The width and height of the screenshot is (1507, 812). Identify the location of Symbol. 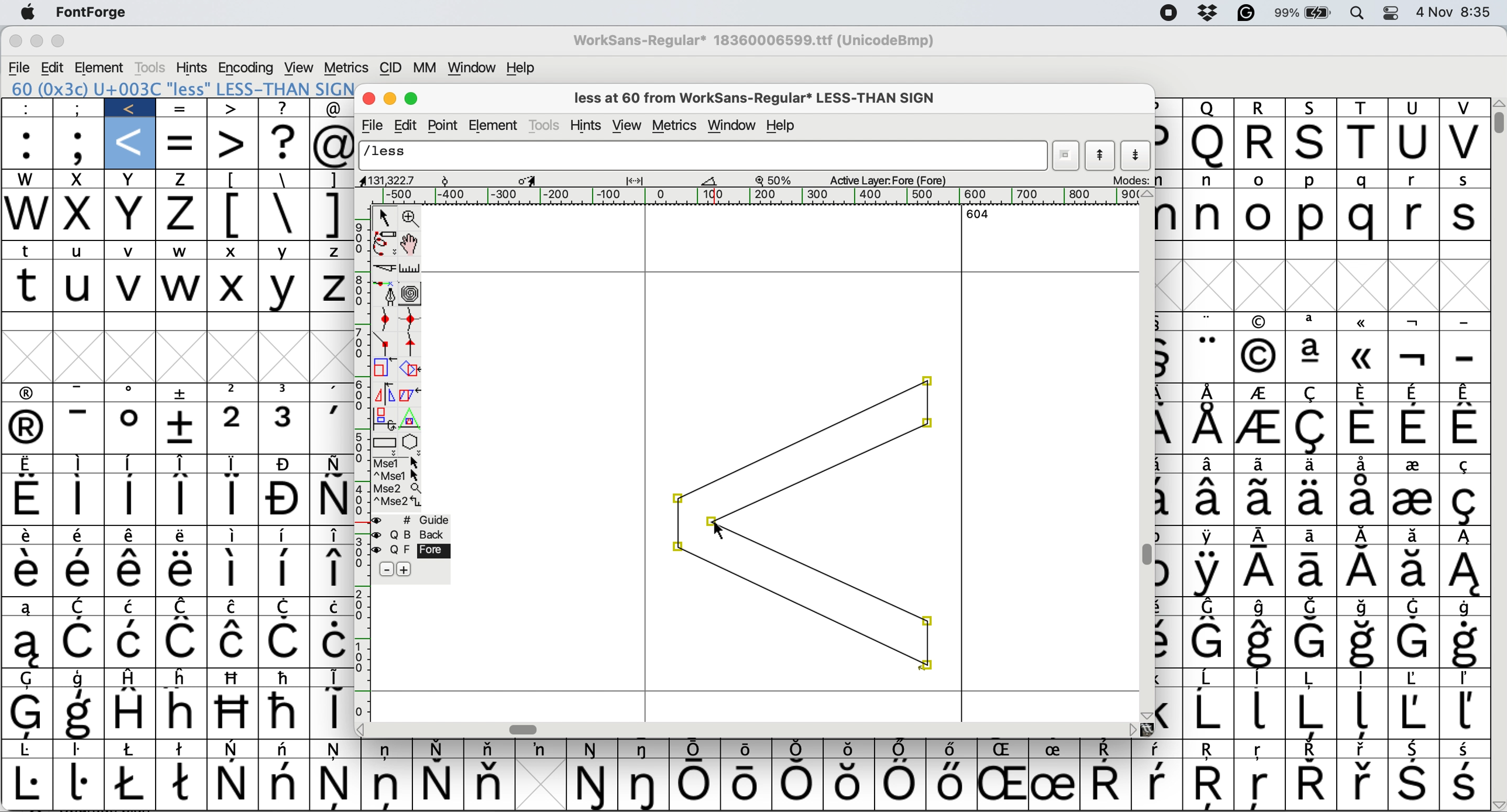
(1260, 463).